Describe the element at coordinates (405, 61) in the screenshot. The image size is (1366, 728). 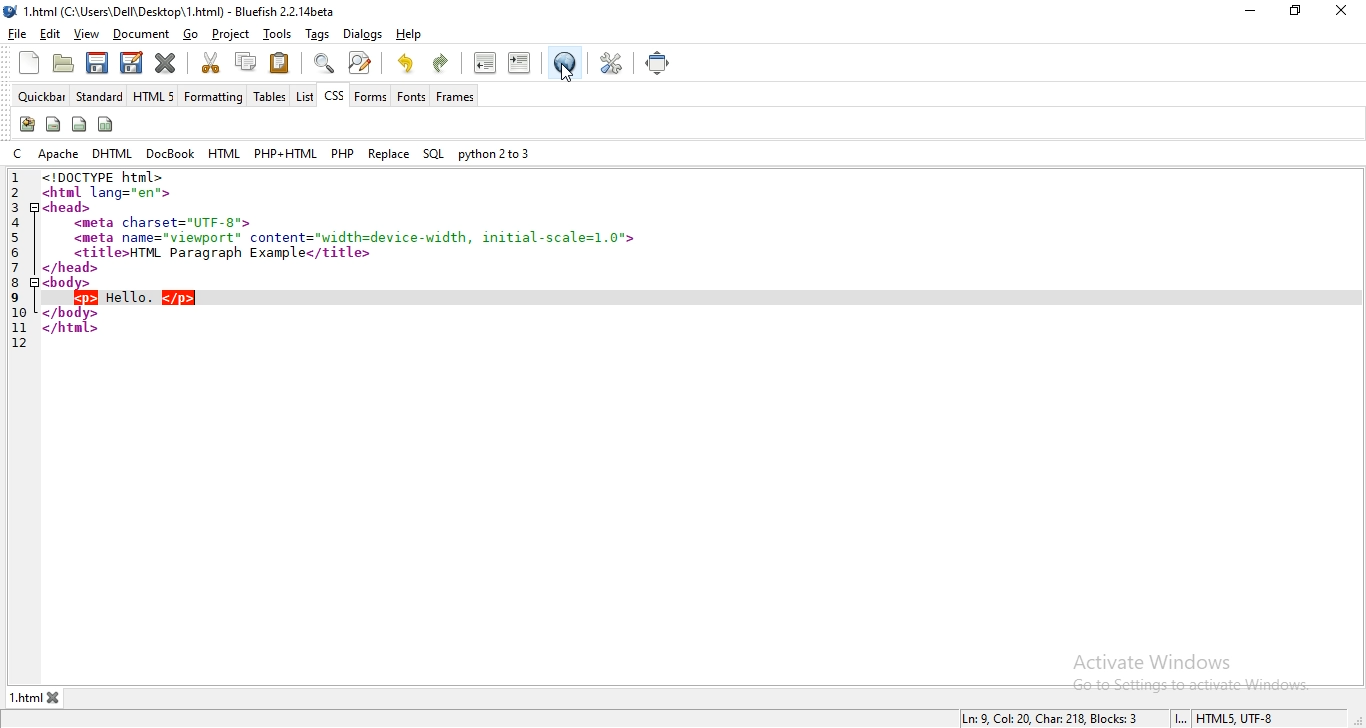
I see `undo` at that location.